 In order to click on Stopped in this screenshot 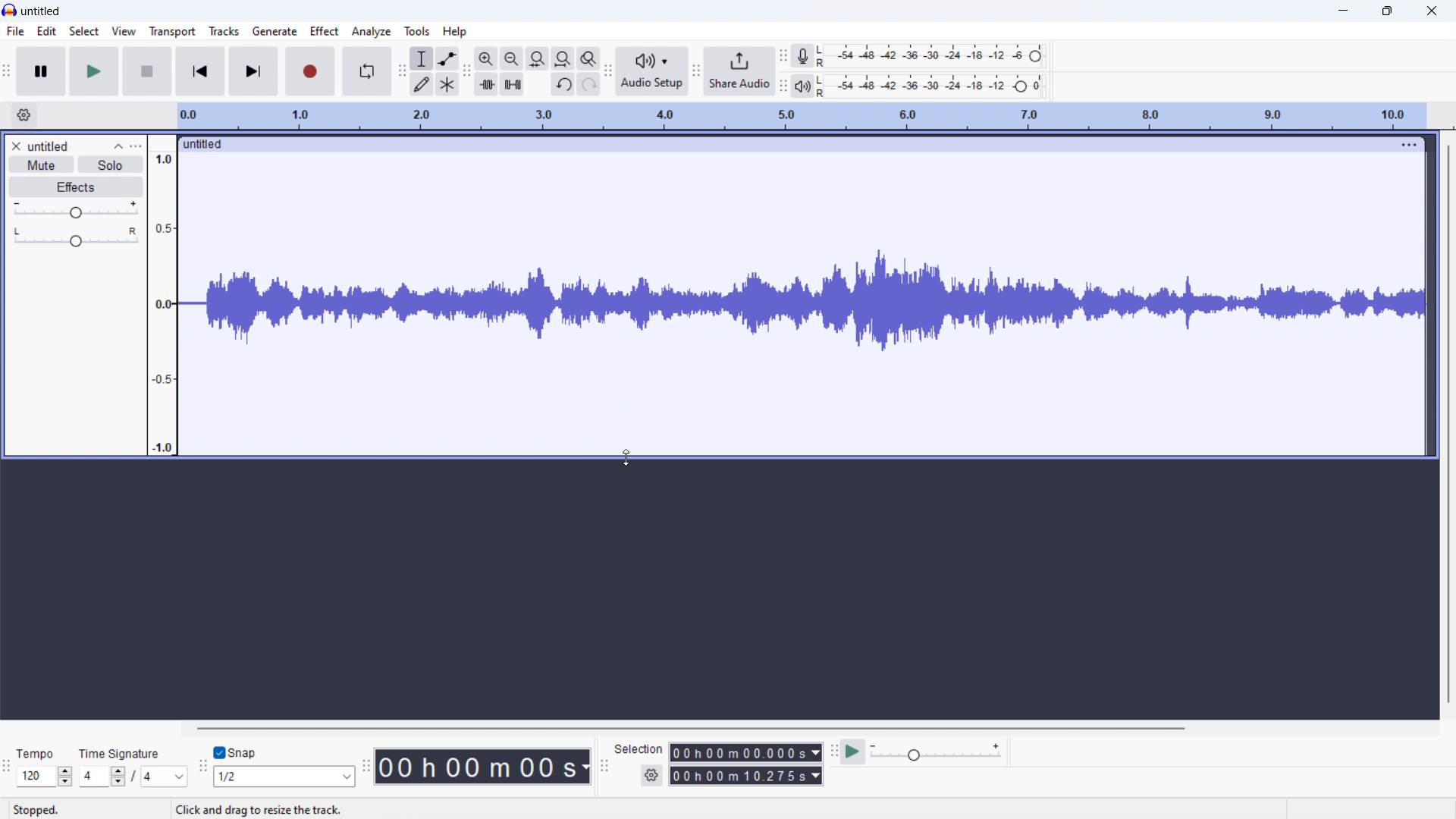, I will do `click(35, 810)`.